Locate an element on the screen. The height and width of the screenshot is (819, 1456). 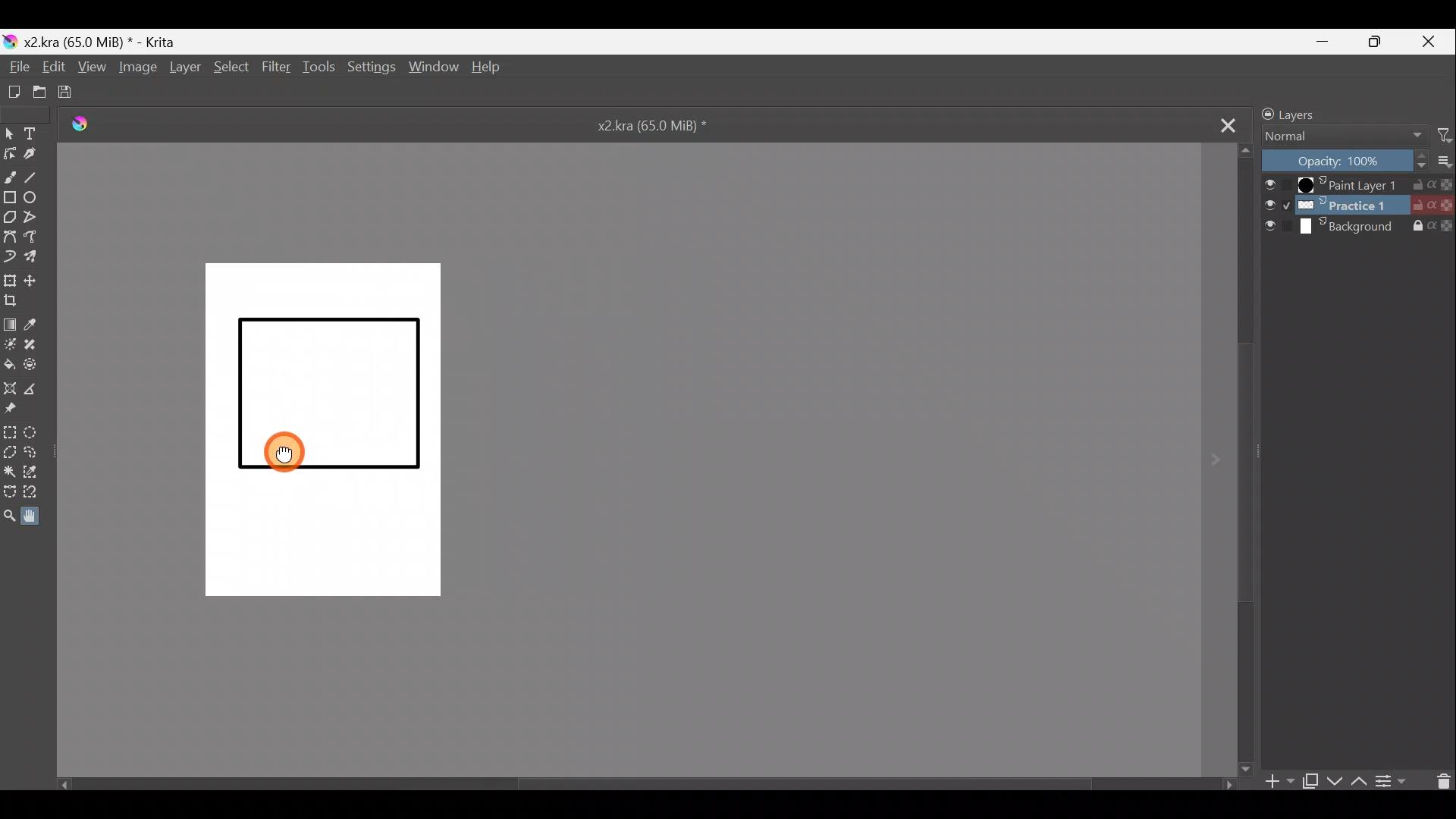
Save is located at coordinates (71, 93).